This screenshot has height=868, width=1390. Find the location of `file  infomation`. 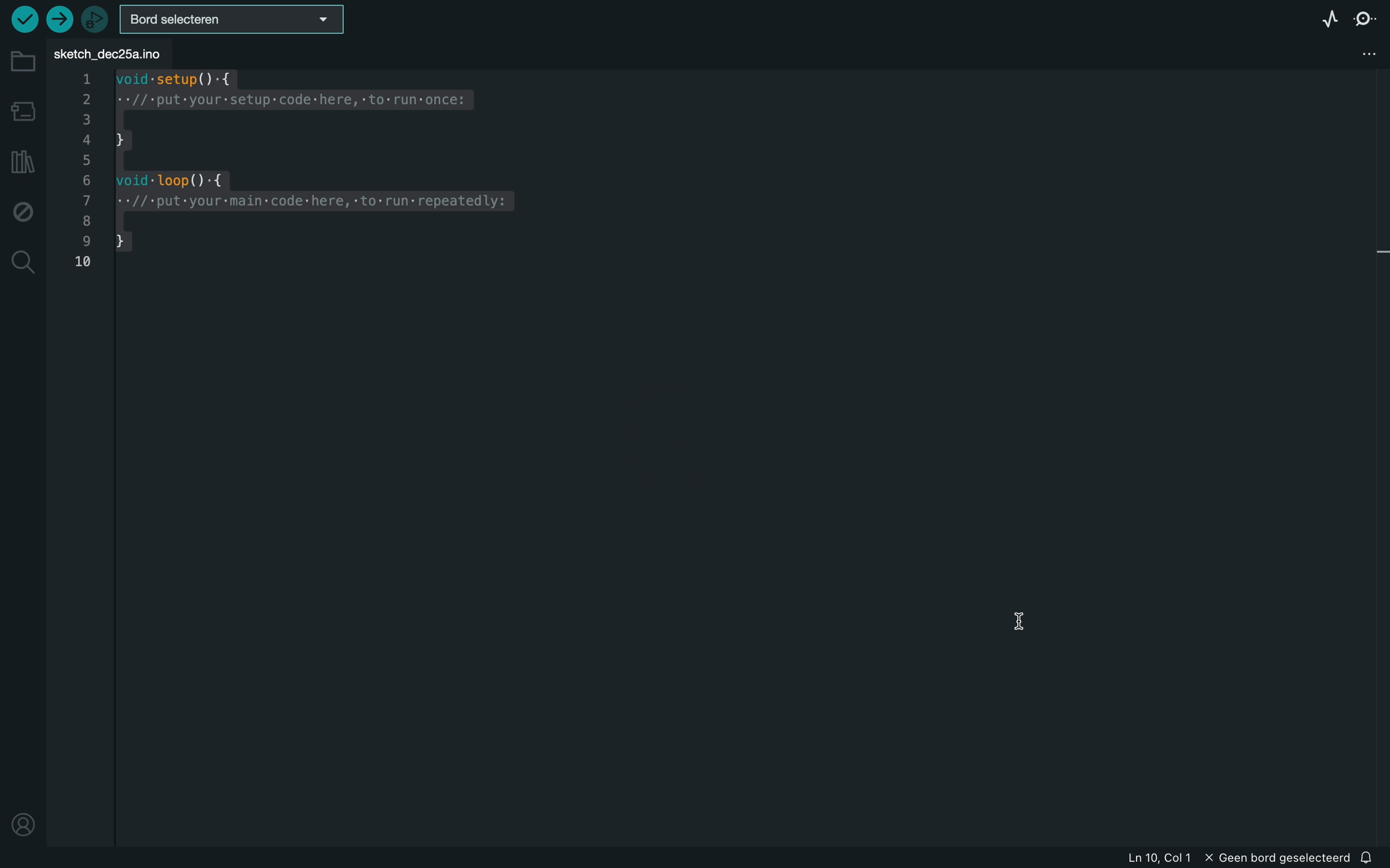

file  infomation is located at coordinates (1237, 859).